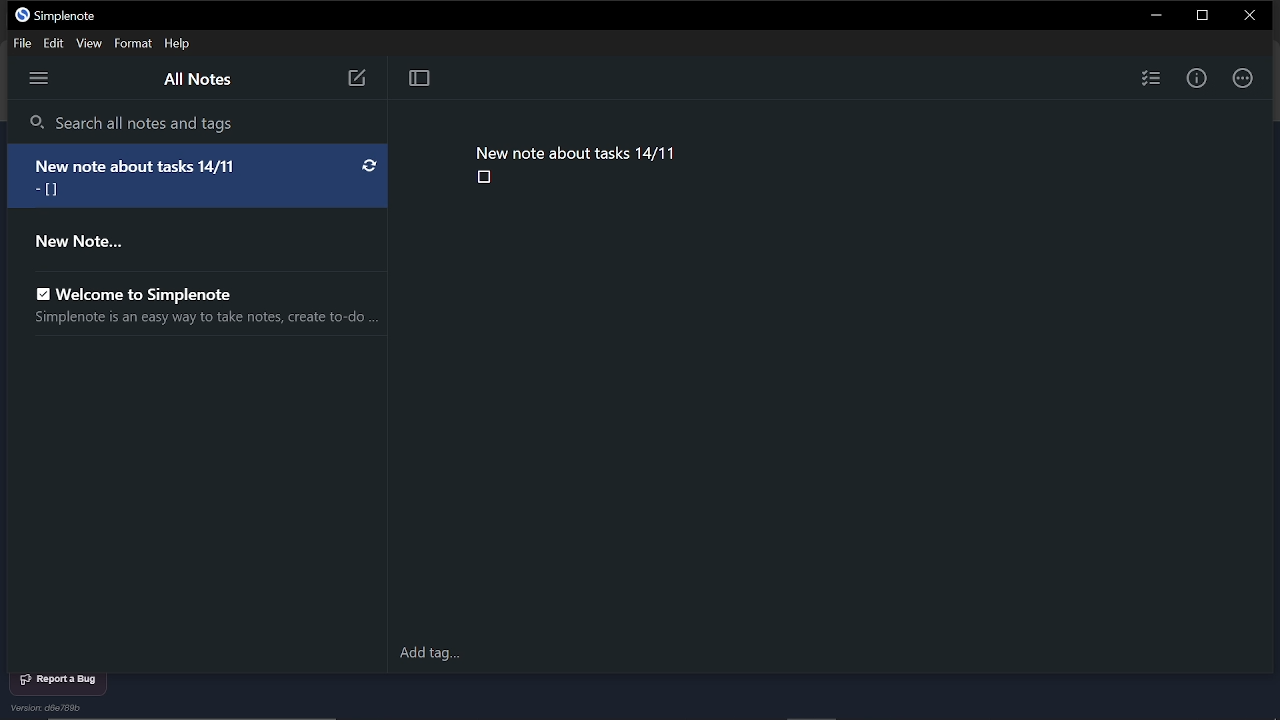  What do you see at coordinates (356, 79) in the screenshot?
I see `New note` at bounding box center [356, 79].